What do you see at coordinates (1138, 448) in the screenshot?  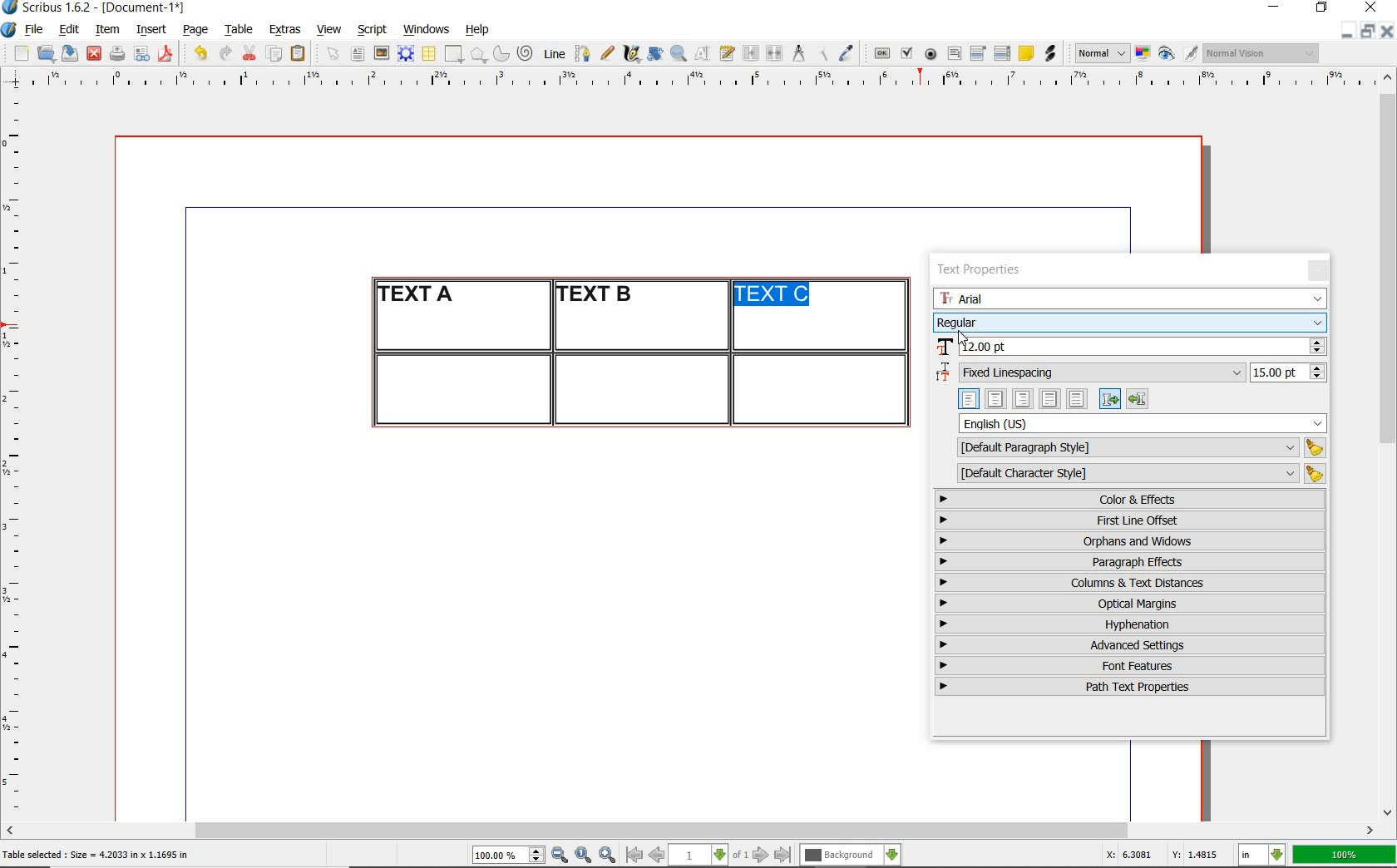 I see `default paragraph style` at bounding box center [1138, 448].